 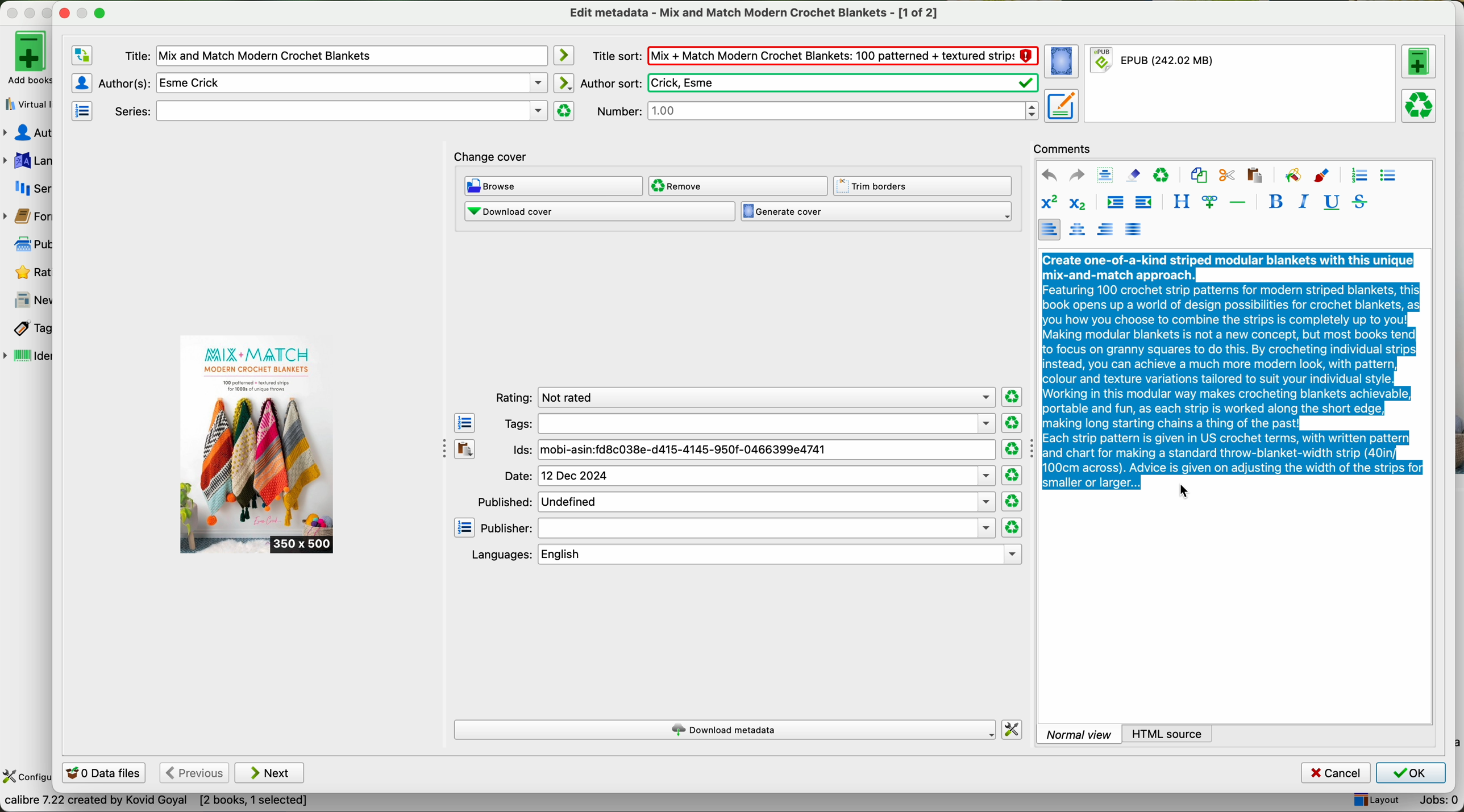 What do you see at coordinates (1106, 228) in the screenshot?
I see `align right` at bounding box center [1106, 228].